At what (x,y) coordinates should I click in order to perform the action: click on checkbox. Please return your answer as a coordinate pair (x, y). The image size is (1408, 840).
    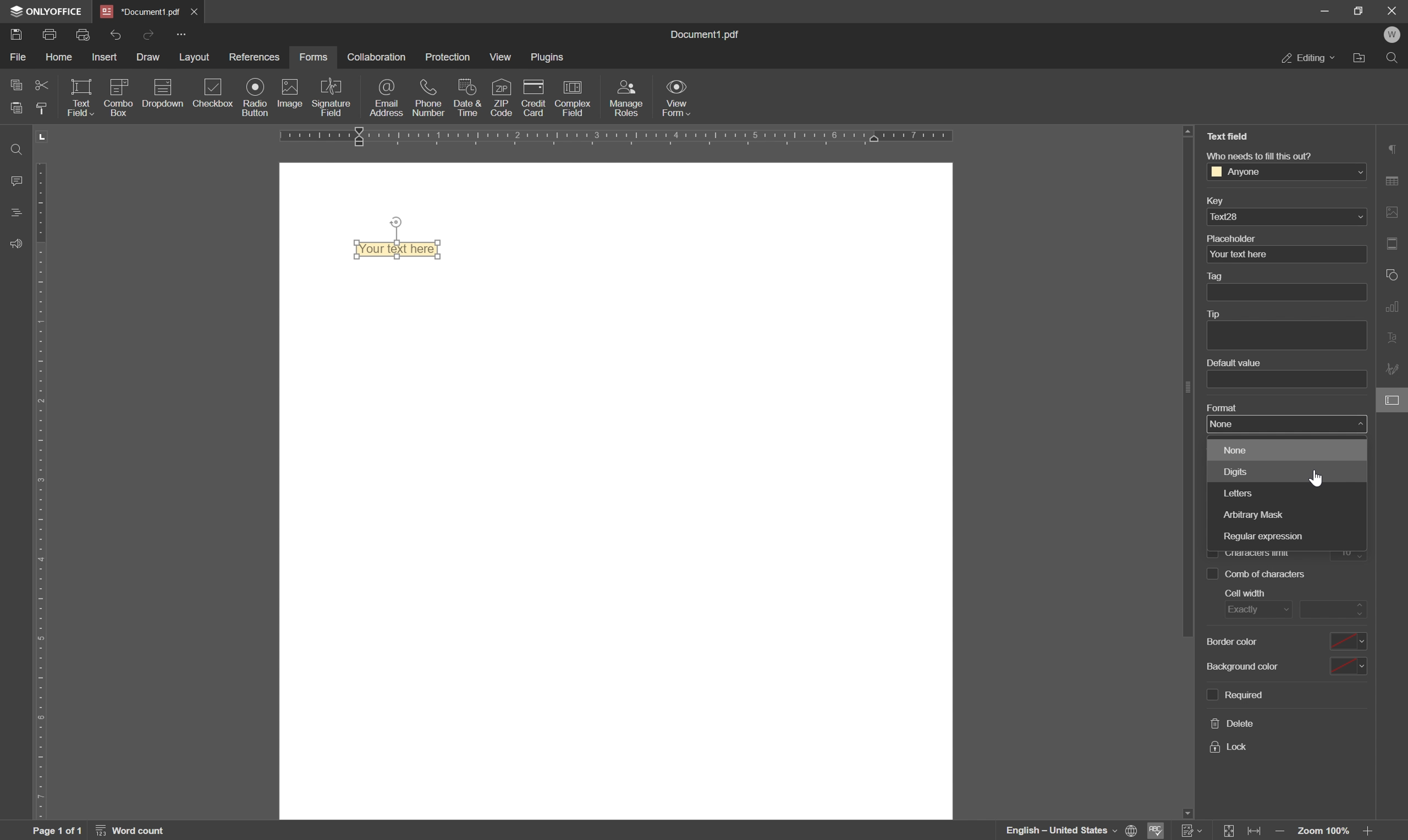
    Looking at the image, I should click on (209, 93).